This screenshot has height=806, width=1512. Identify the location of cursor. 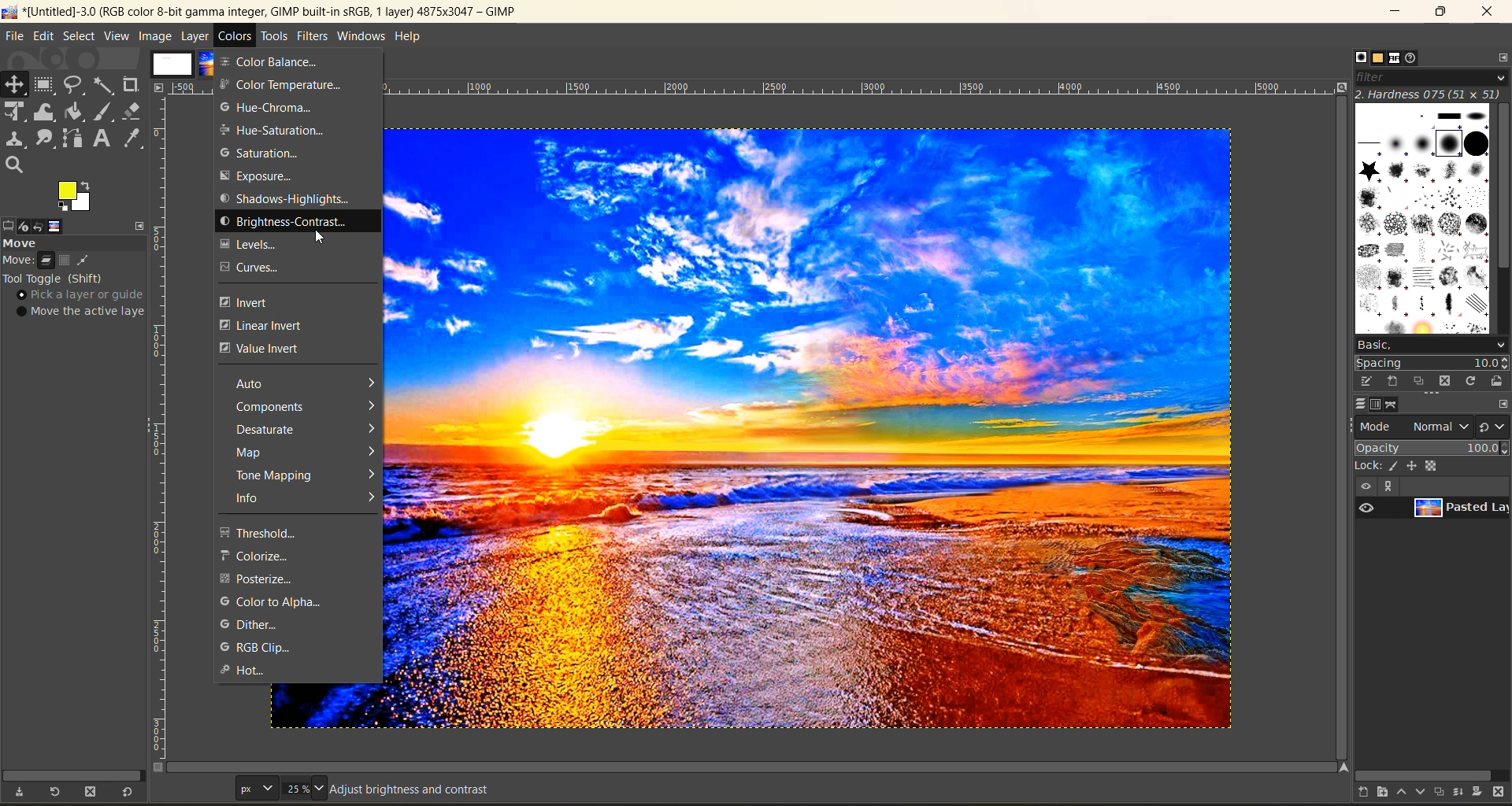
(324, 238).